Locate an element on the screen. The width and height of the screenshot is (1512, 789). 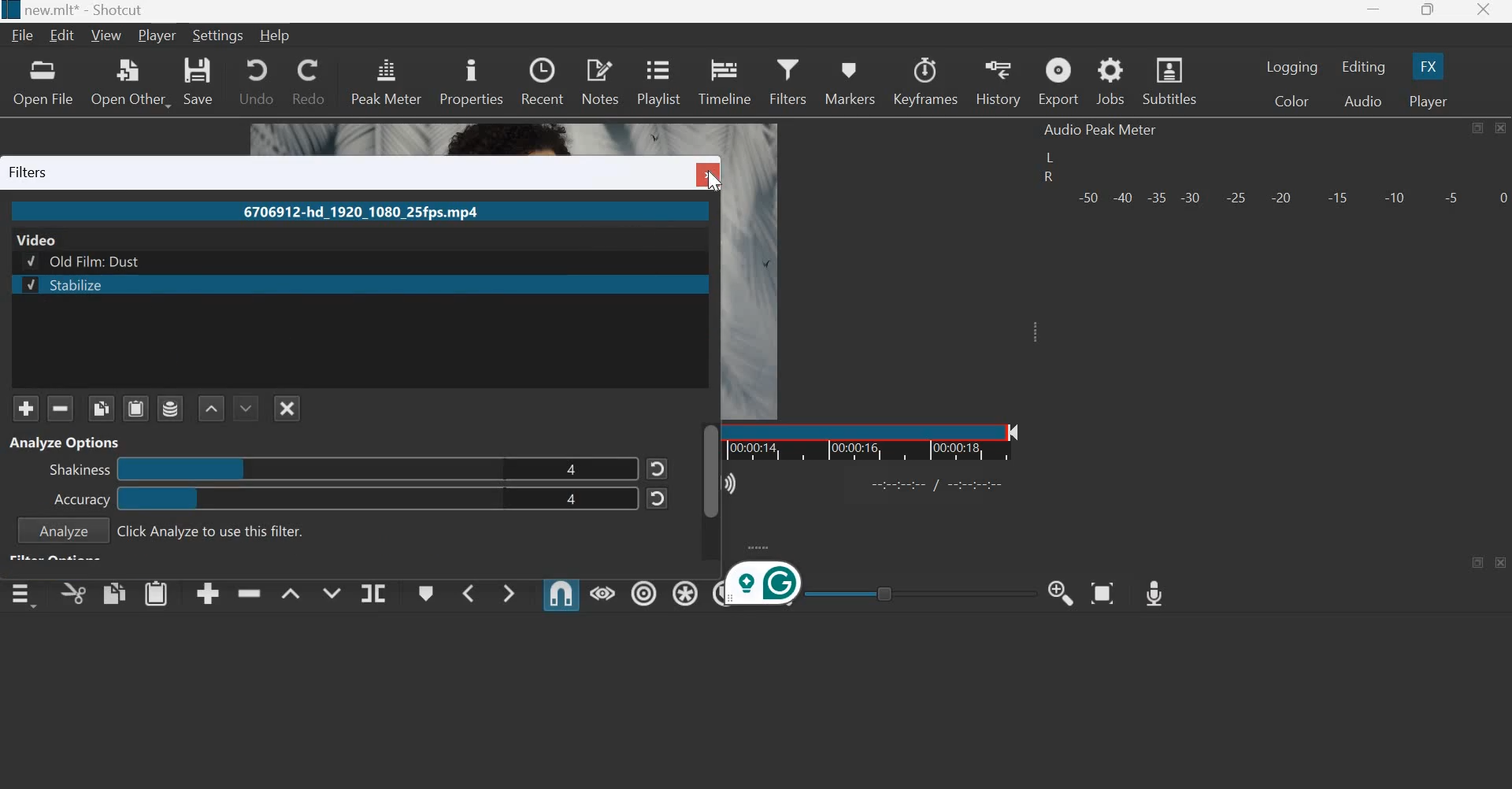
Stabilize is located at coordinates (63, 286).